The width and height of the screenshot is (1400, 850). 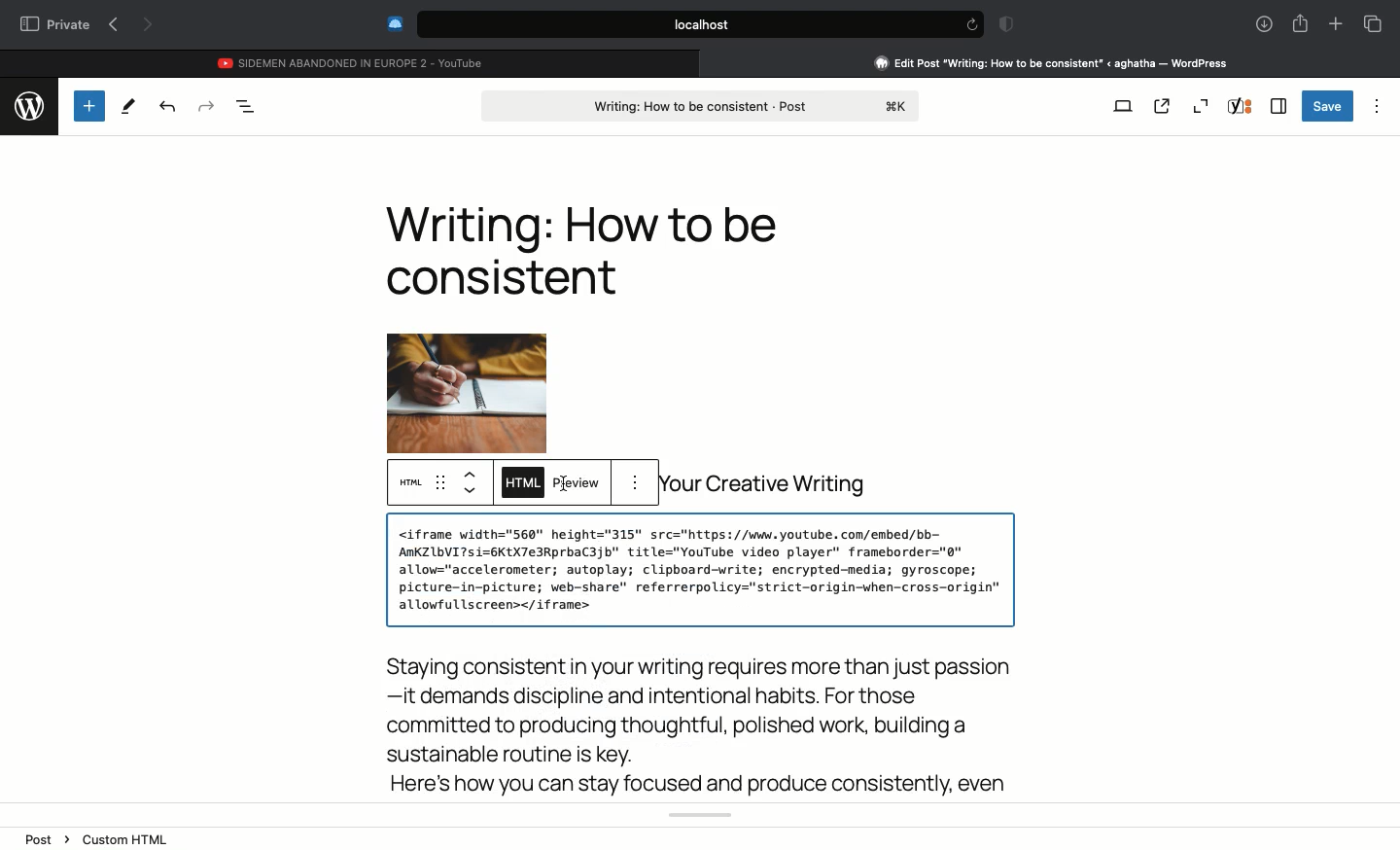 I want to click on Downlaods, so click(x=1261, y=25).